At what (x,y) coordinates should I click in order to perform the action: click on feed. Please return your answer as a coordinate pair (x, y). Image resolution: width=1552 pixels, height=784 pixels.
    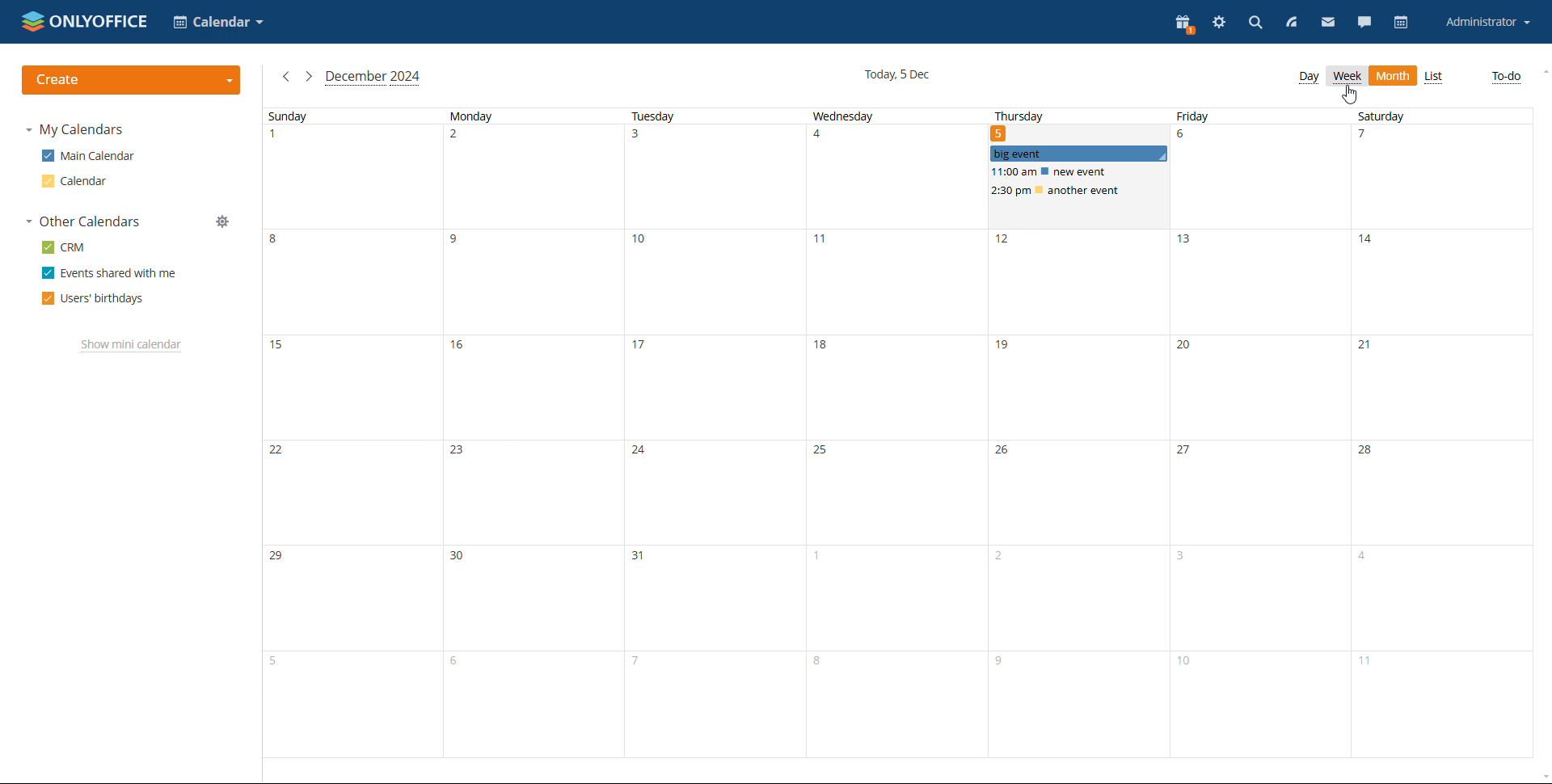
    Looking at the image, I should click on (1289, 22).